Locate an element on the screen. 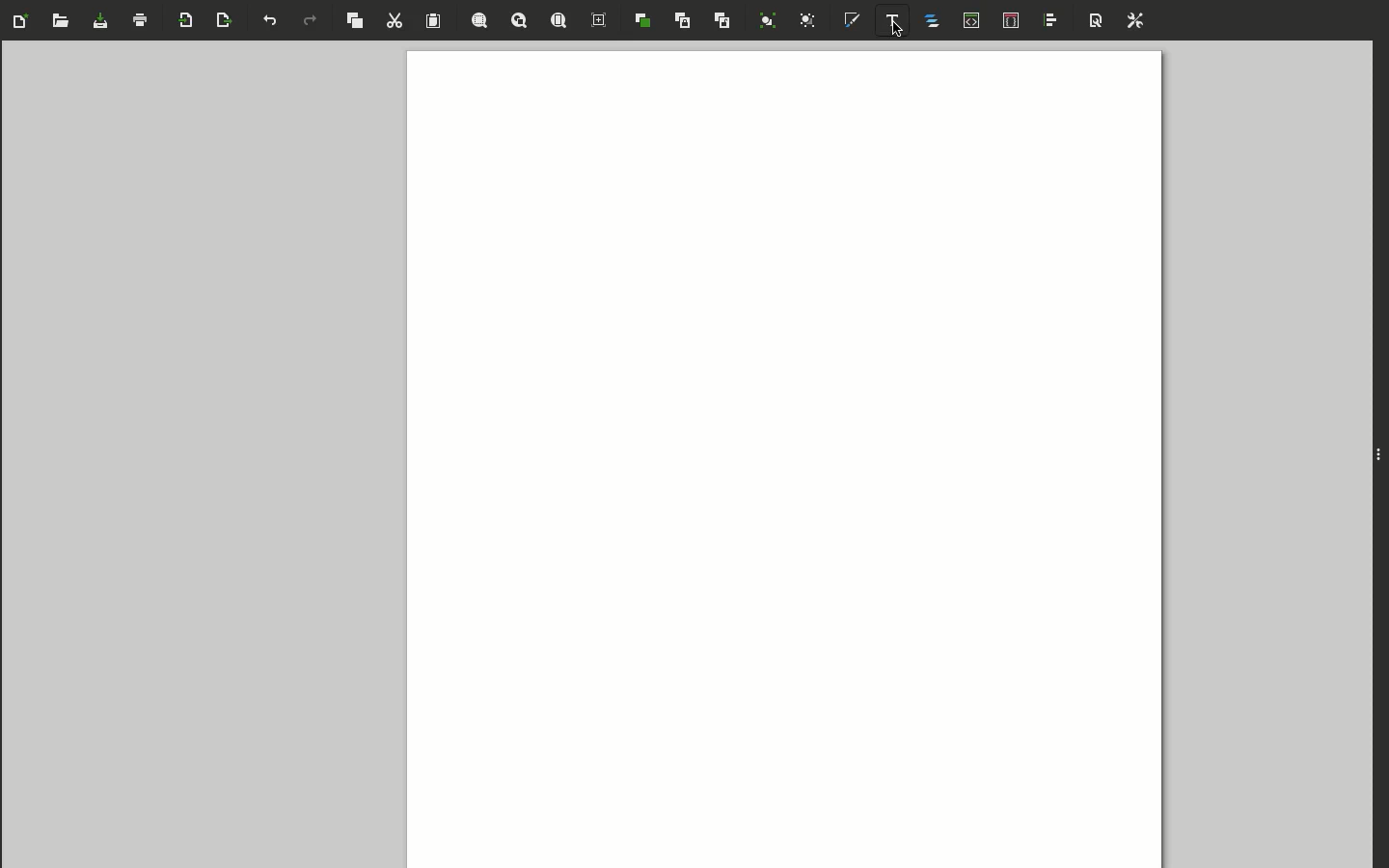 Image resolution: width=1389 pixels, height=868 pixels. XML editor is located at coordinates (972, 23).